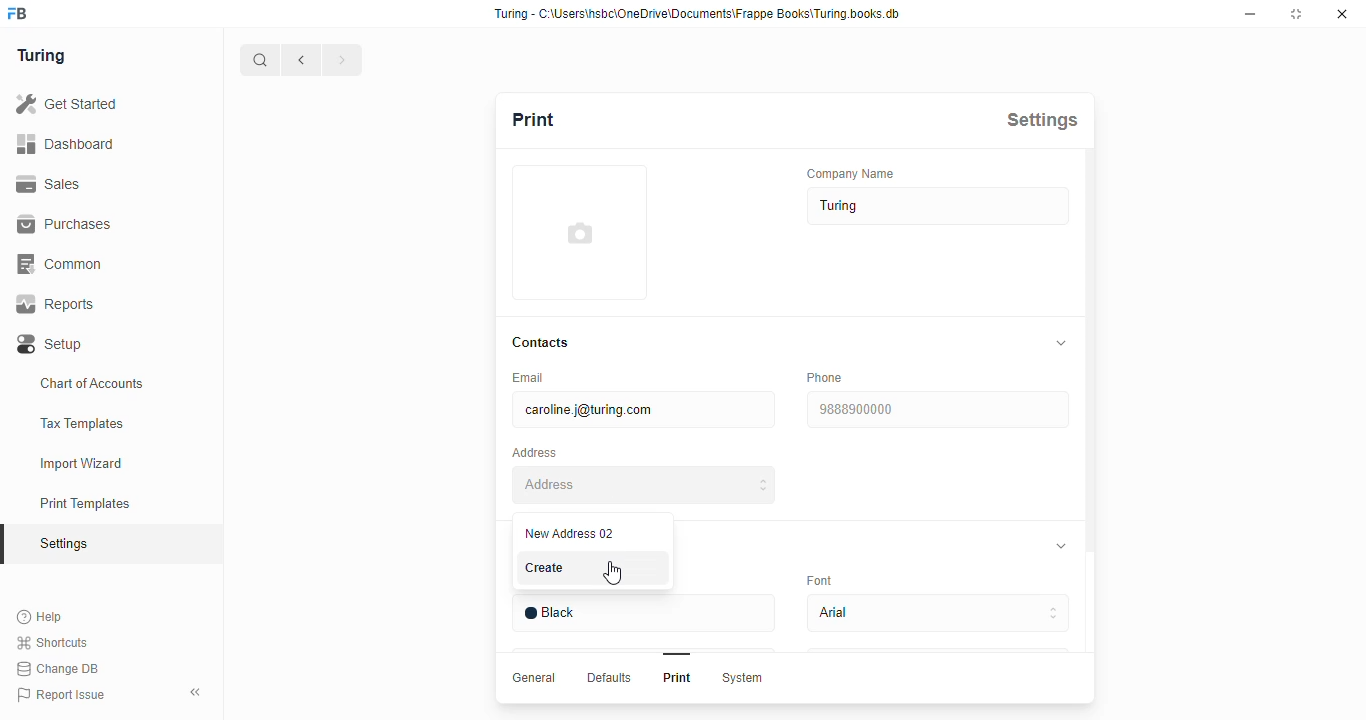 This screenshot has width=1366, height=720. Describe the element at coordinates (645, 409) in the screenshot. I see `caroline.j@turing.com` at that location.